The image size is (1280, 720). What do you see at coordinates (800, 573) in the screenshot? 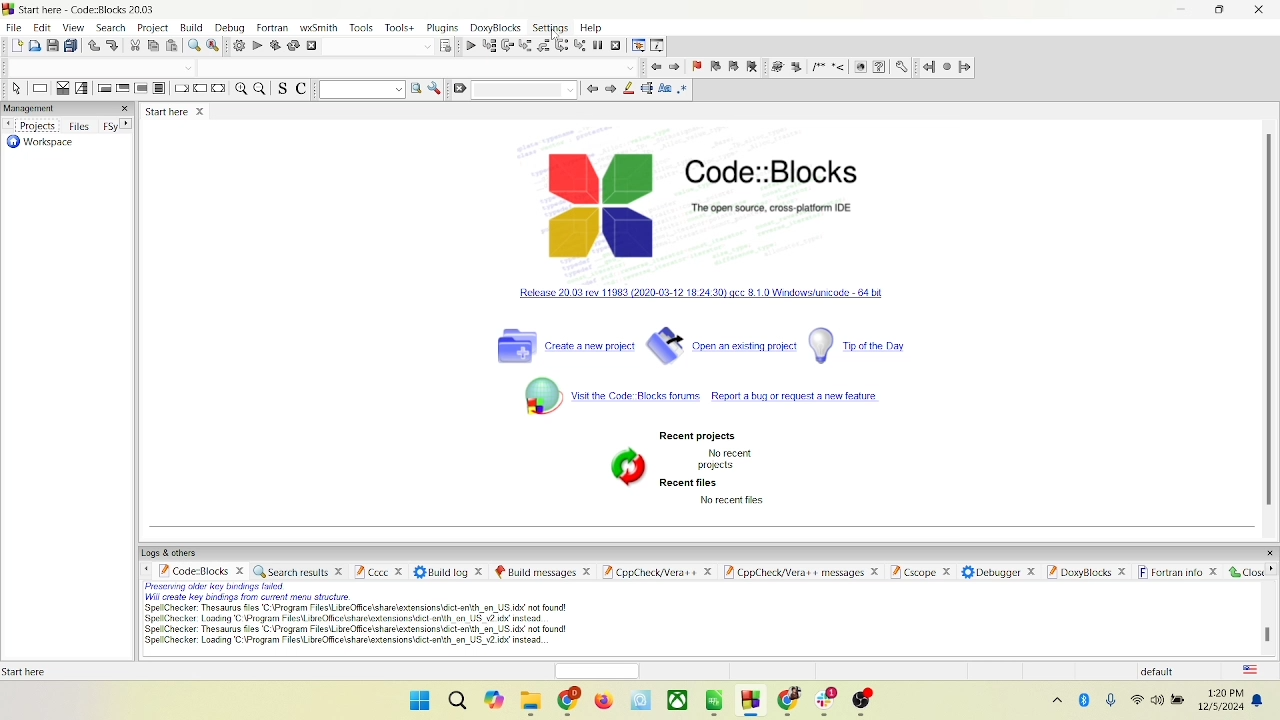
I see `Cppcheck/ver++ message` at bounding box center [800, 573].